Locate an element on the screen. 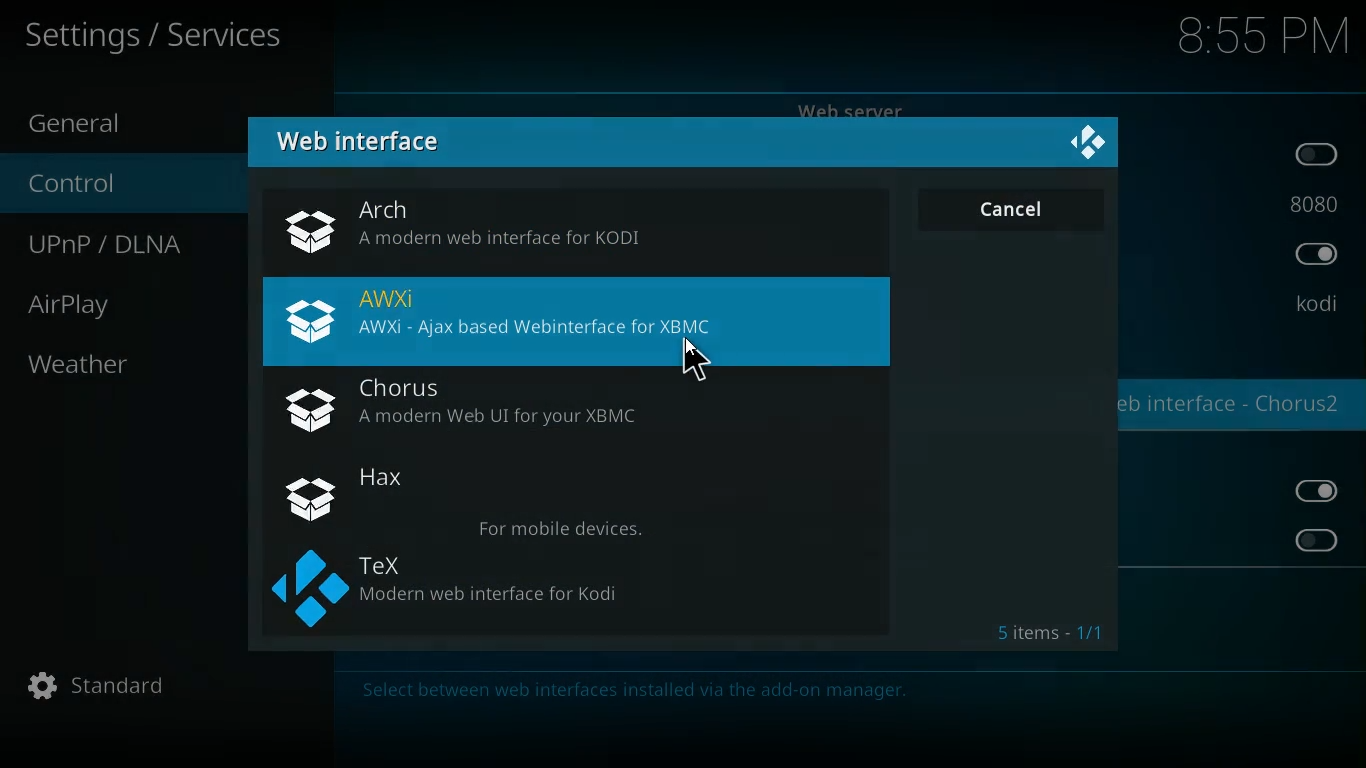 The width and height of the screenshot is (1366, 768). itens is located at coordinates (1052, 631).